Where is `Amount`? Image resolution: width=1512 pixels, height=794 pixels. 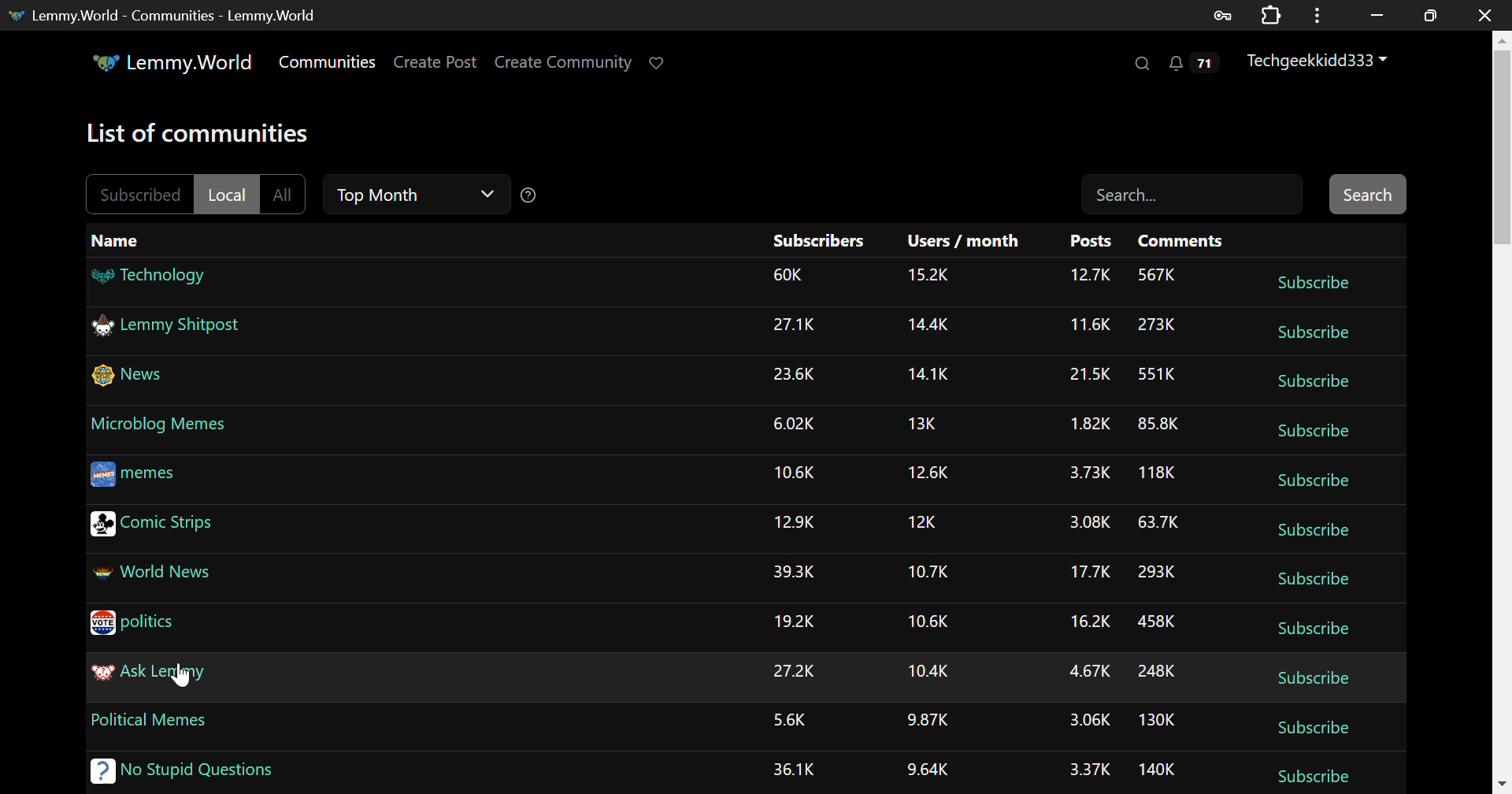 Amount is located at coordinates (1091, 769).